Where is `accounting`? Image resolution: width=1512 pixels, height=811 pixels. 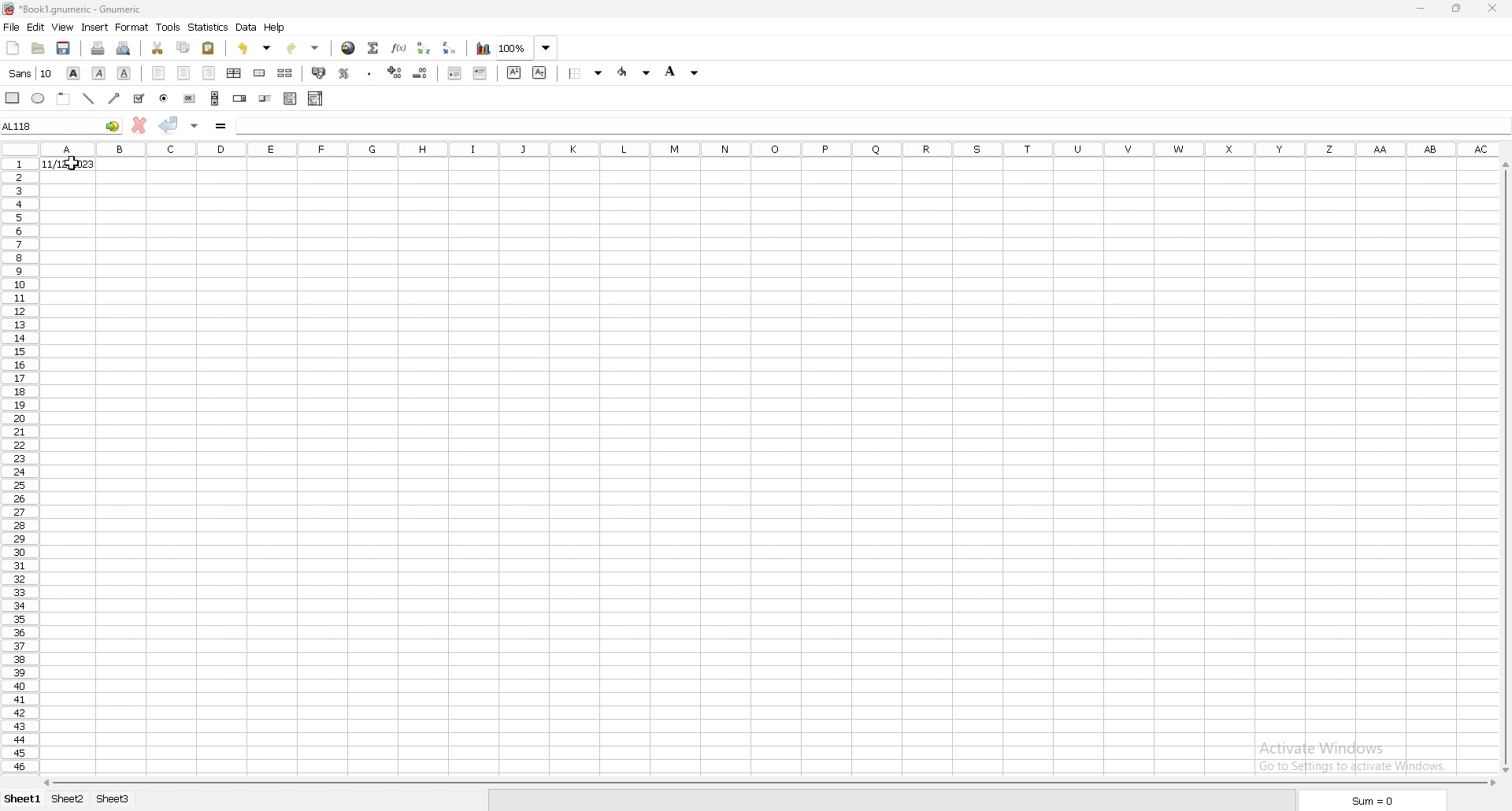 accounting is located at coordinates (319, 72).